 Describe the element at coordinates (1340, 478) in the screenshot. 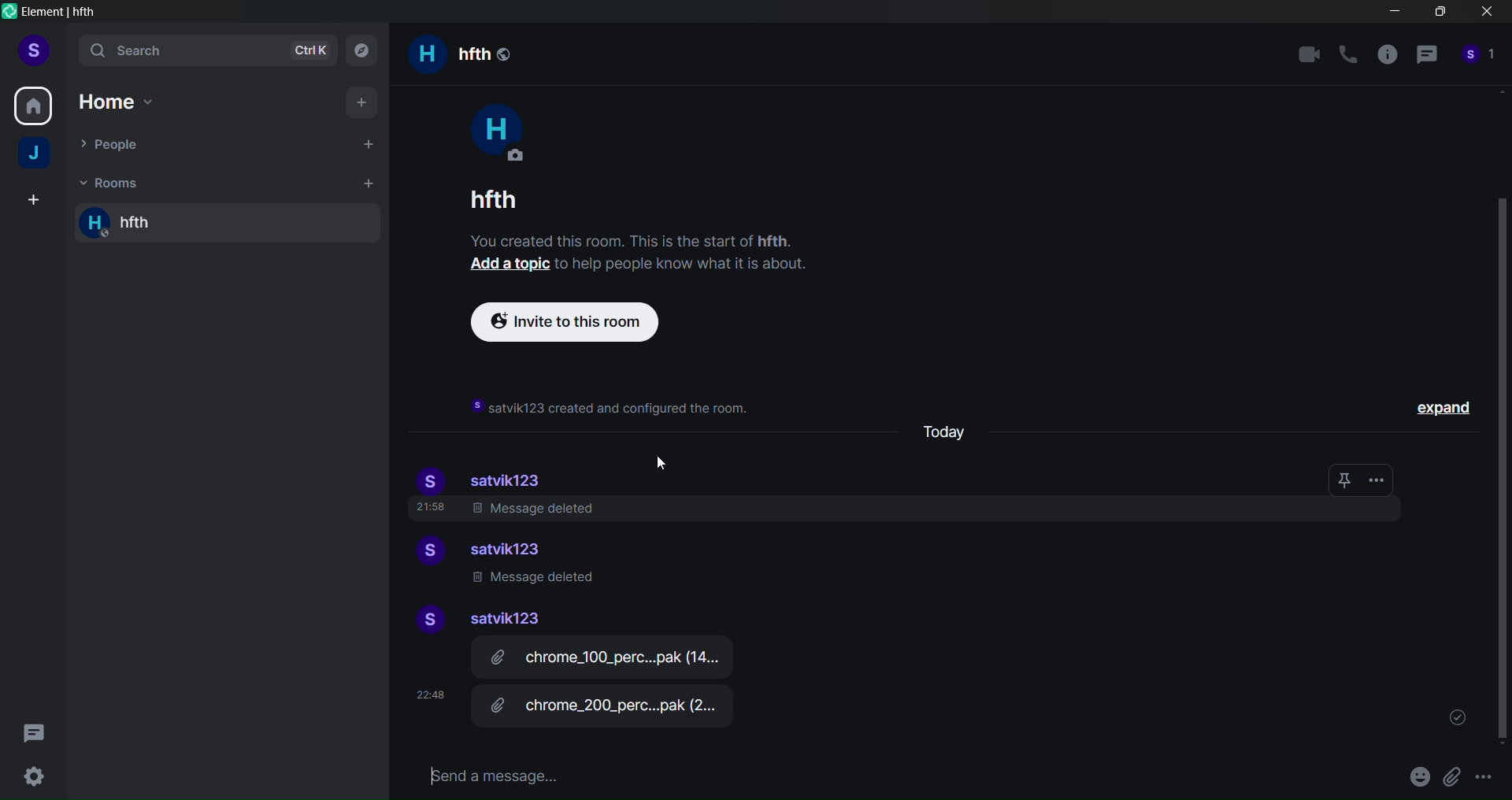

I see `pin` at that location.